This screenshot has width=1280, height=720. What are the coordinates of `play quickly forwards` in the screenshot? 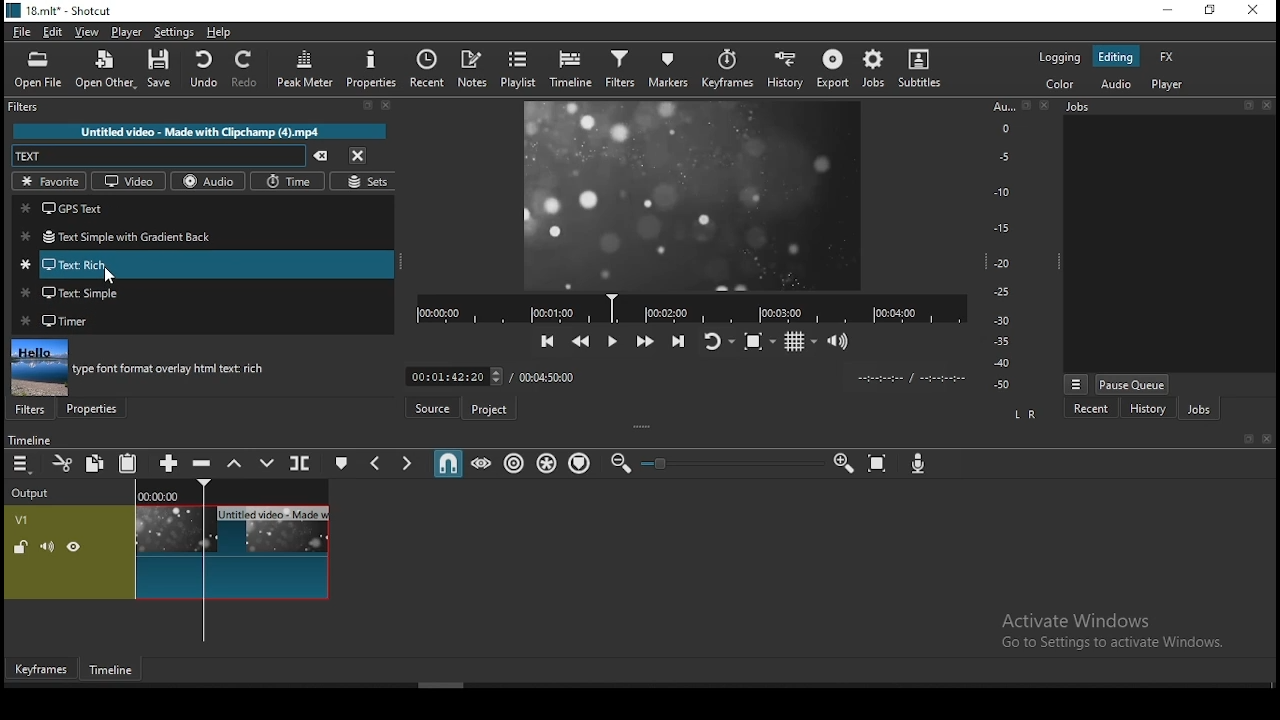 It's located at (647, 340).